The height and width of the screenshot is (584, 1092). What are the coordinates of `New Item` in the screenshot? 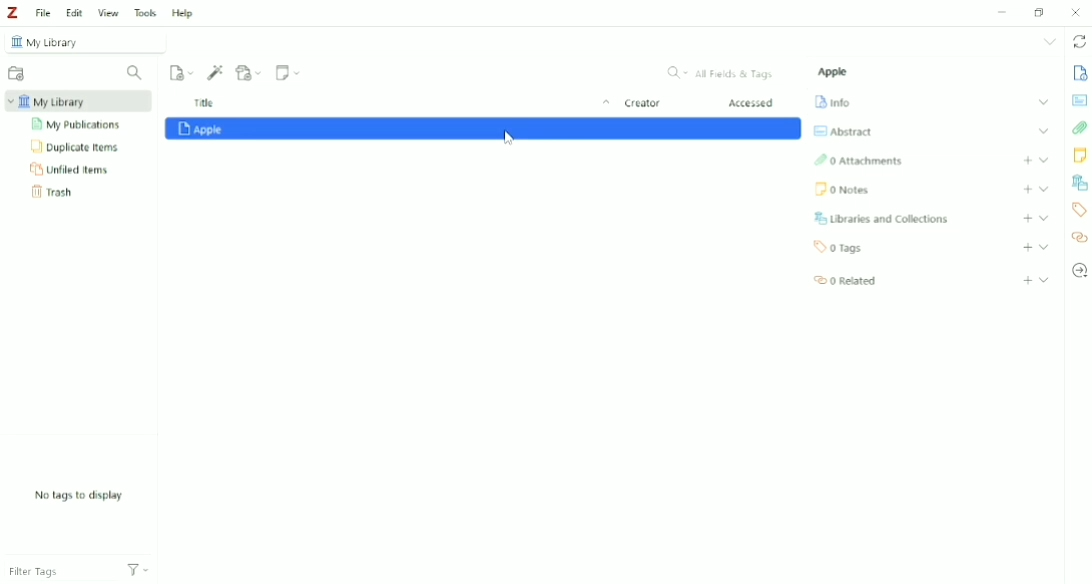 It's located at (182, 72).